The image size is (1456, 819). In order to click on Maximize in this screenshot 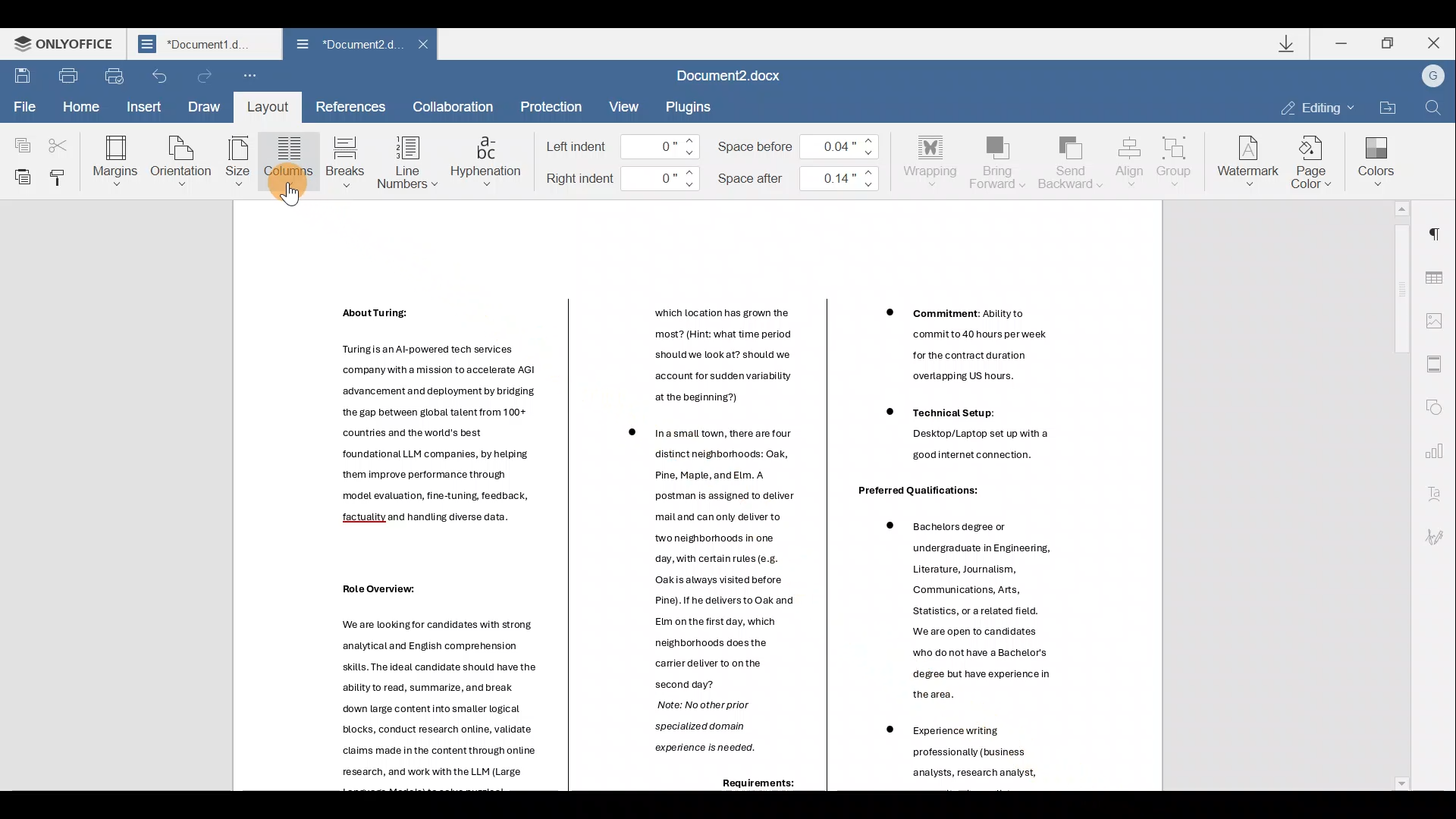, I will do `click(1389, 42)`.